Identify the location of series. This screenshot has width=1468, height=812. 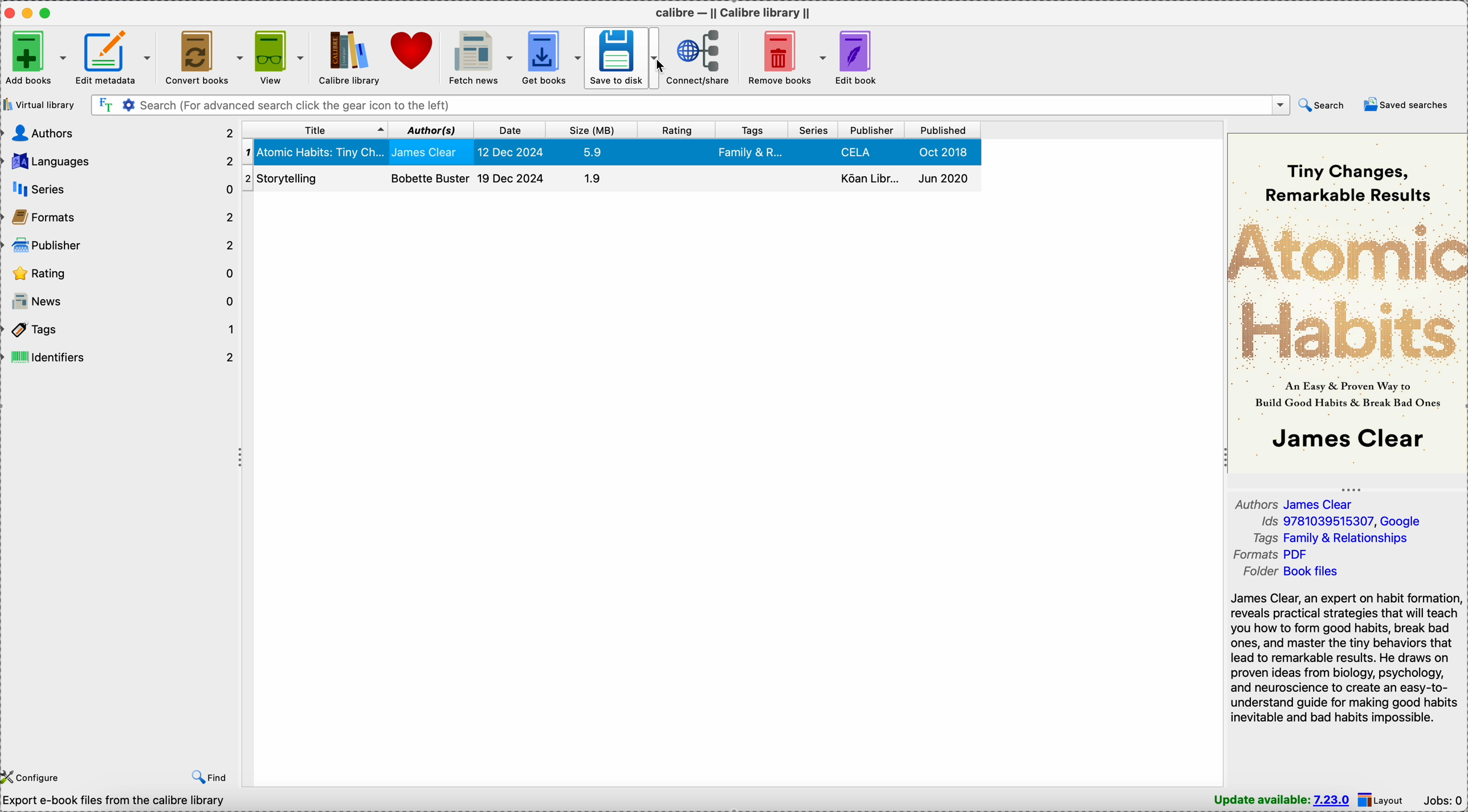
(121, 191).